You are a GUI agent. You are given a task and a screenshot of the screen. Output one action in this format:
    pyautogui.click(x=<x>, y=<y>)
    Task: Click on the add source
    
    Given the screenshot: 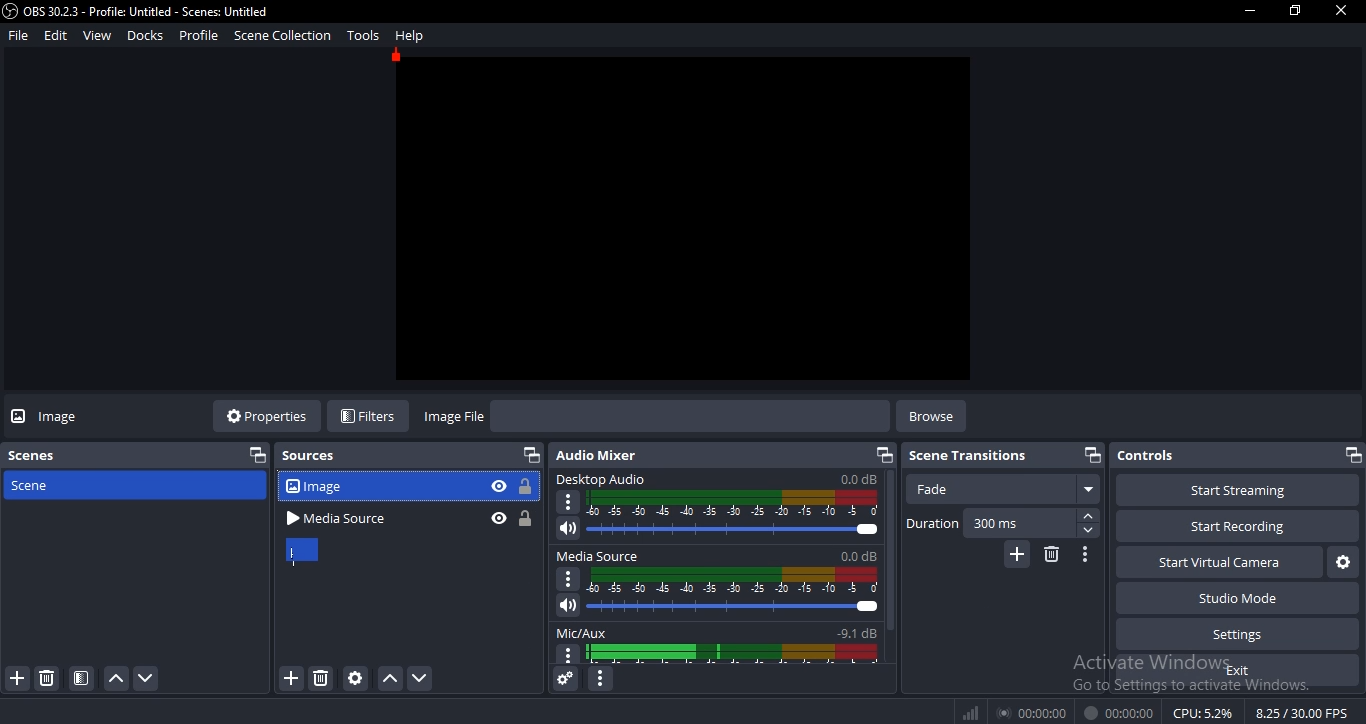 What is the action you would take?
    pyautogui.click(x=292, y=677)
    